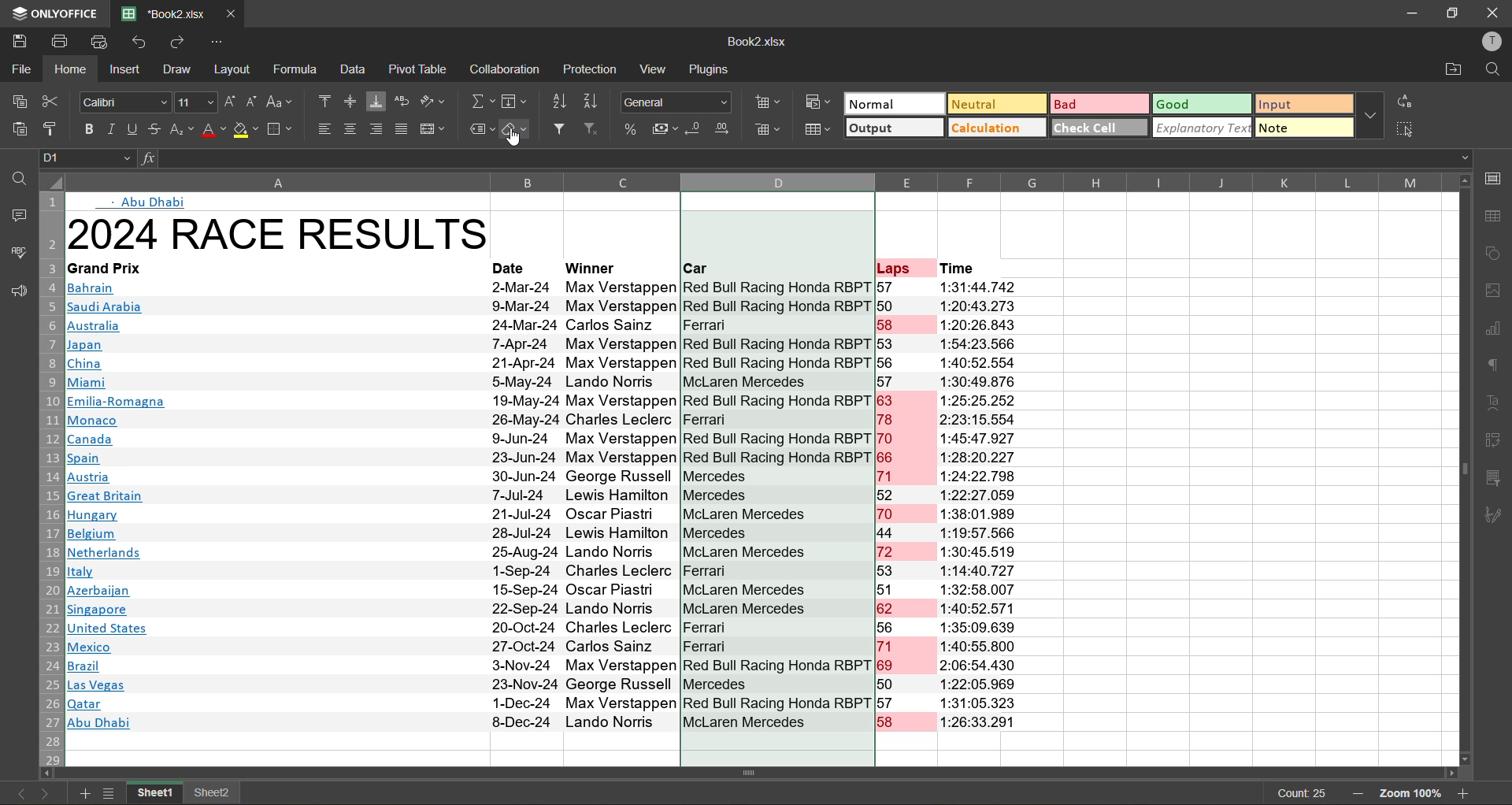 This screenshot has height=805, width=1512. I want to click on |Ssaudi Arabia 9-Mar-24 Max Verstappen Red Bull Racing Honda RBPT 50 1:20:43.273, so click(542, 306).